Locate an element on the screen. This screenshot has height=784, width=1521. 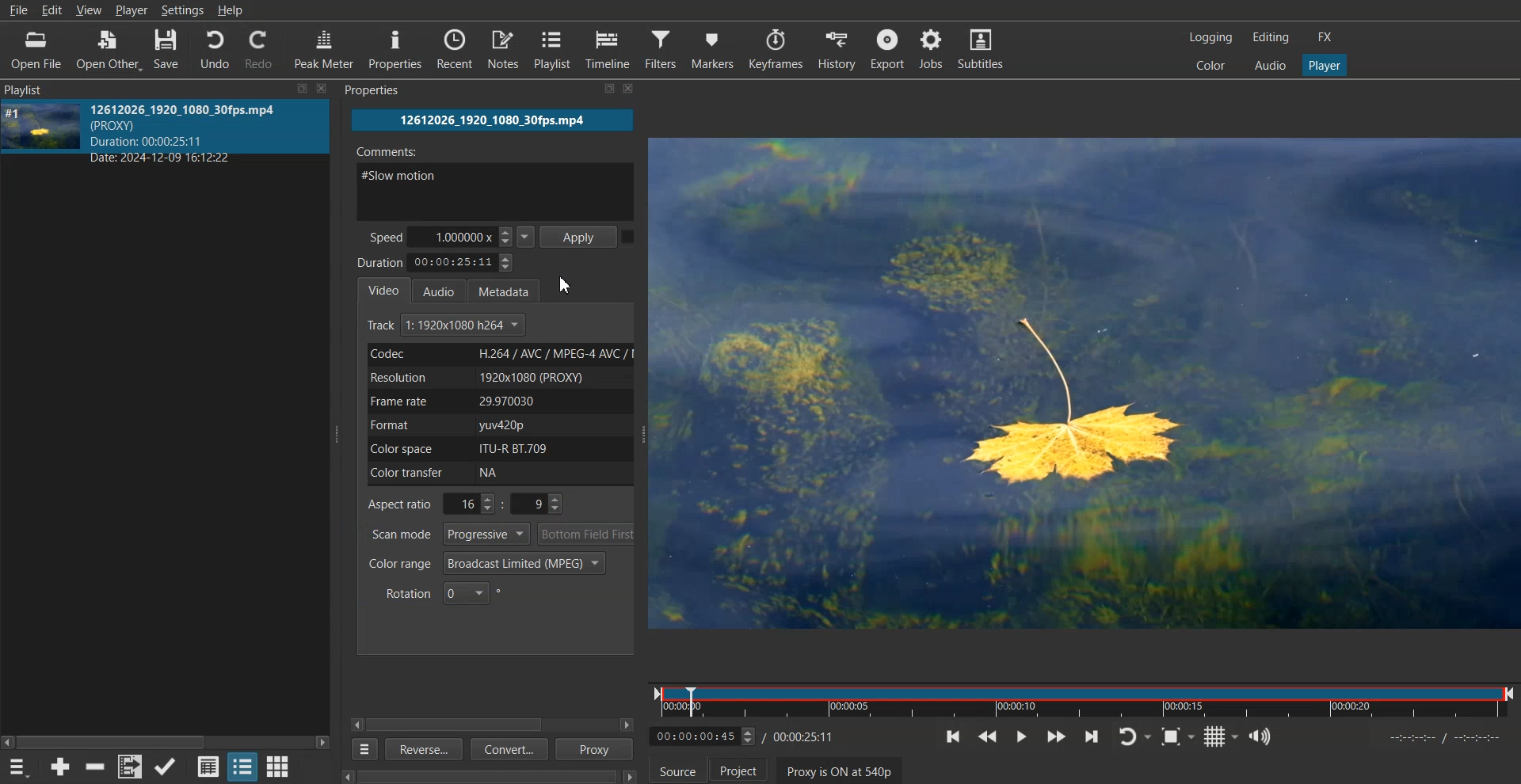
Help is located at coordinates (231, 10).